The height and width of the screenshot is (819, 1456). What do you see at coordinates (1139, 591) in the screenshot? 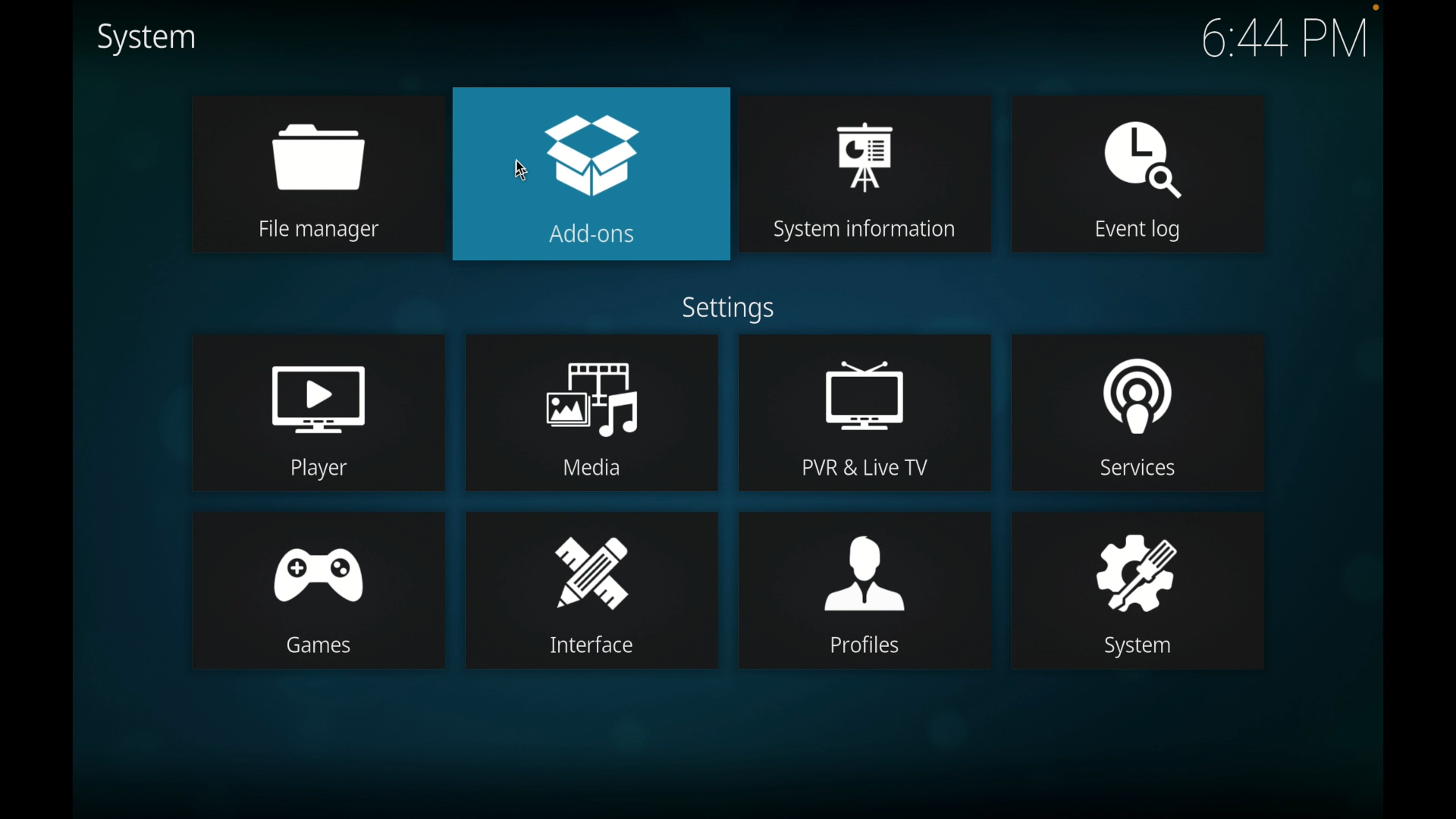
I see `system` at bounding box center [1139, 591].